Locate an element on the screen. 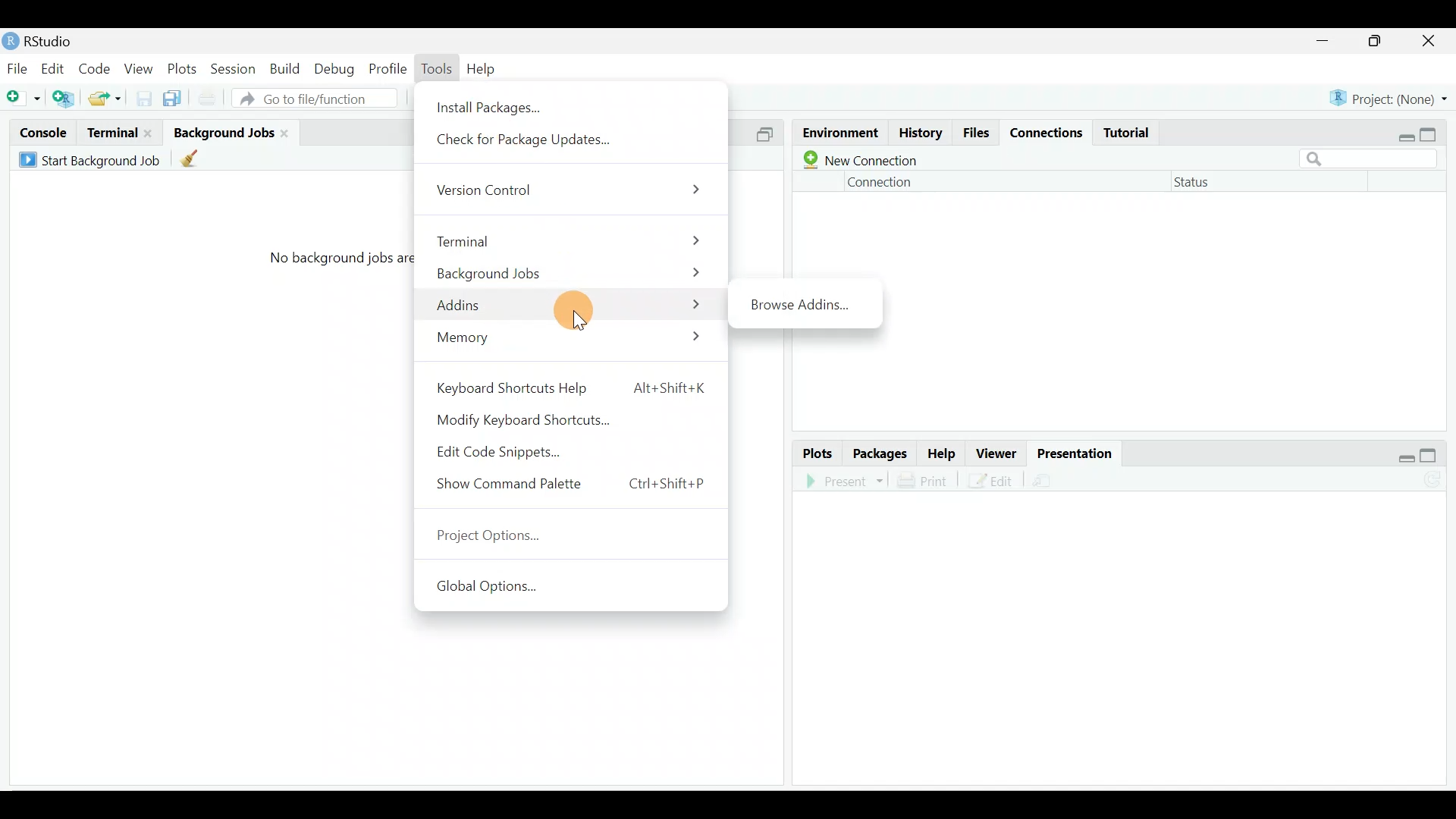 This screenshot has height=819, width=1456. Split is located at coordinates (769, 135).